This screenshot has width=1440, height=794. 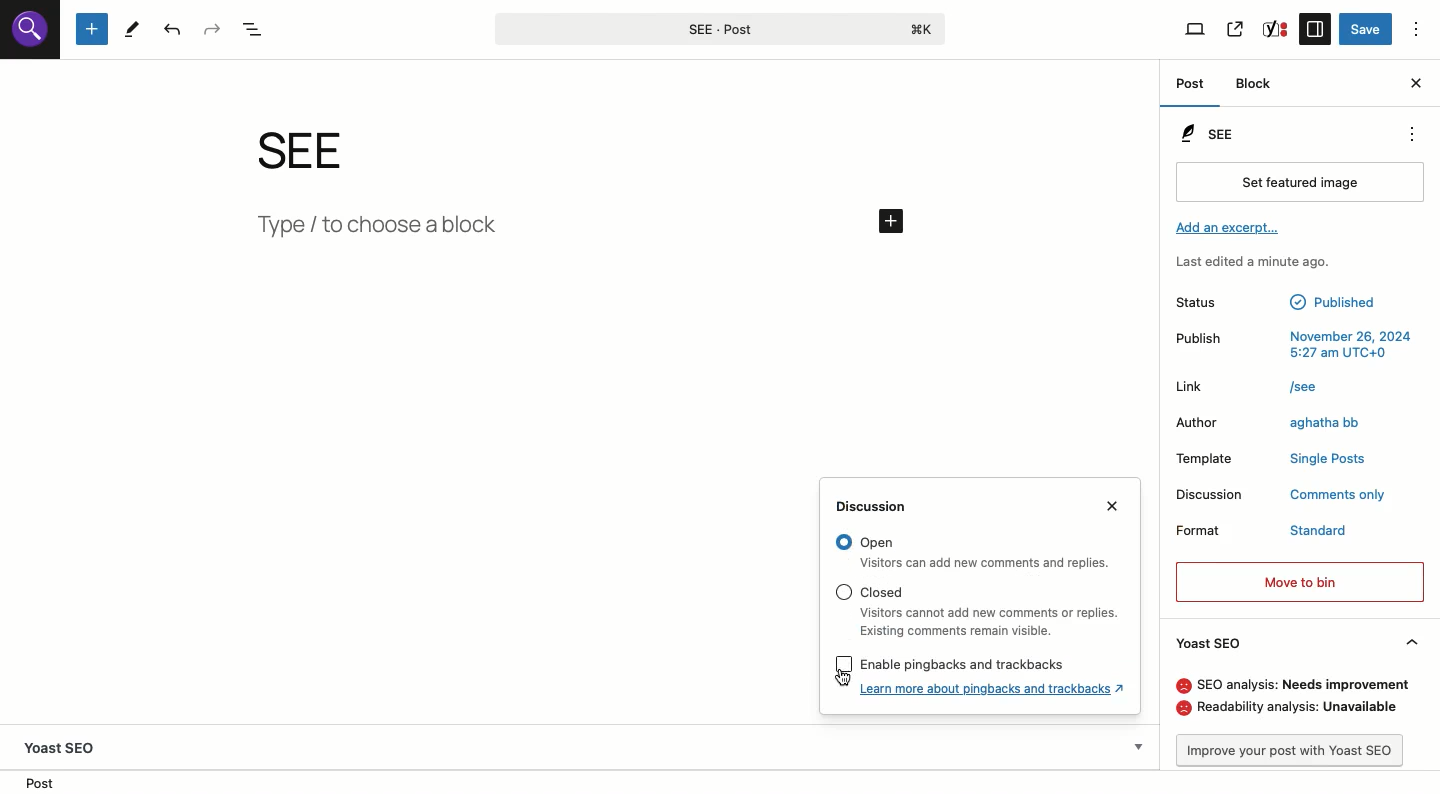 I want to click on Tools, so click(x=133, y=30).